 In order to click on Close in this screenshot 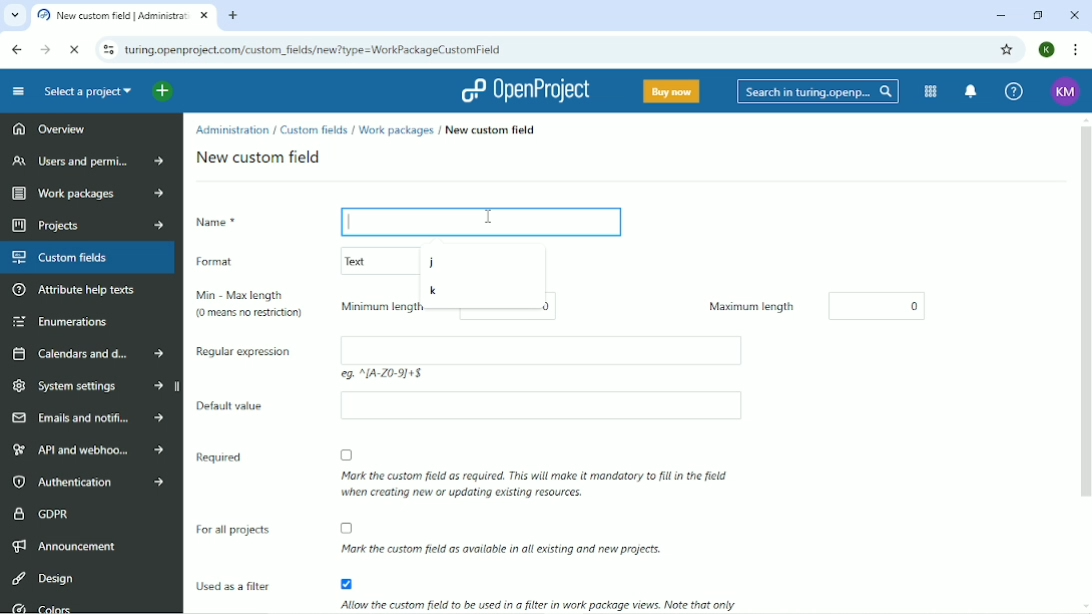, I will do `click(1075, 15)`.